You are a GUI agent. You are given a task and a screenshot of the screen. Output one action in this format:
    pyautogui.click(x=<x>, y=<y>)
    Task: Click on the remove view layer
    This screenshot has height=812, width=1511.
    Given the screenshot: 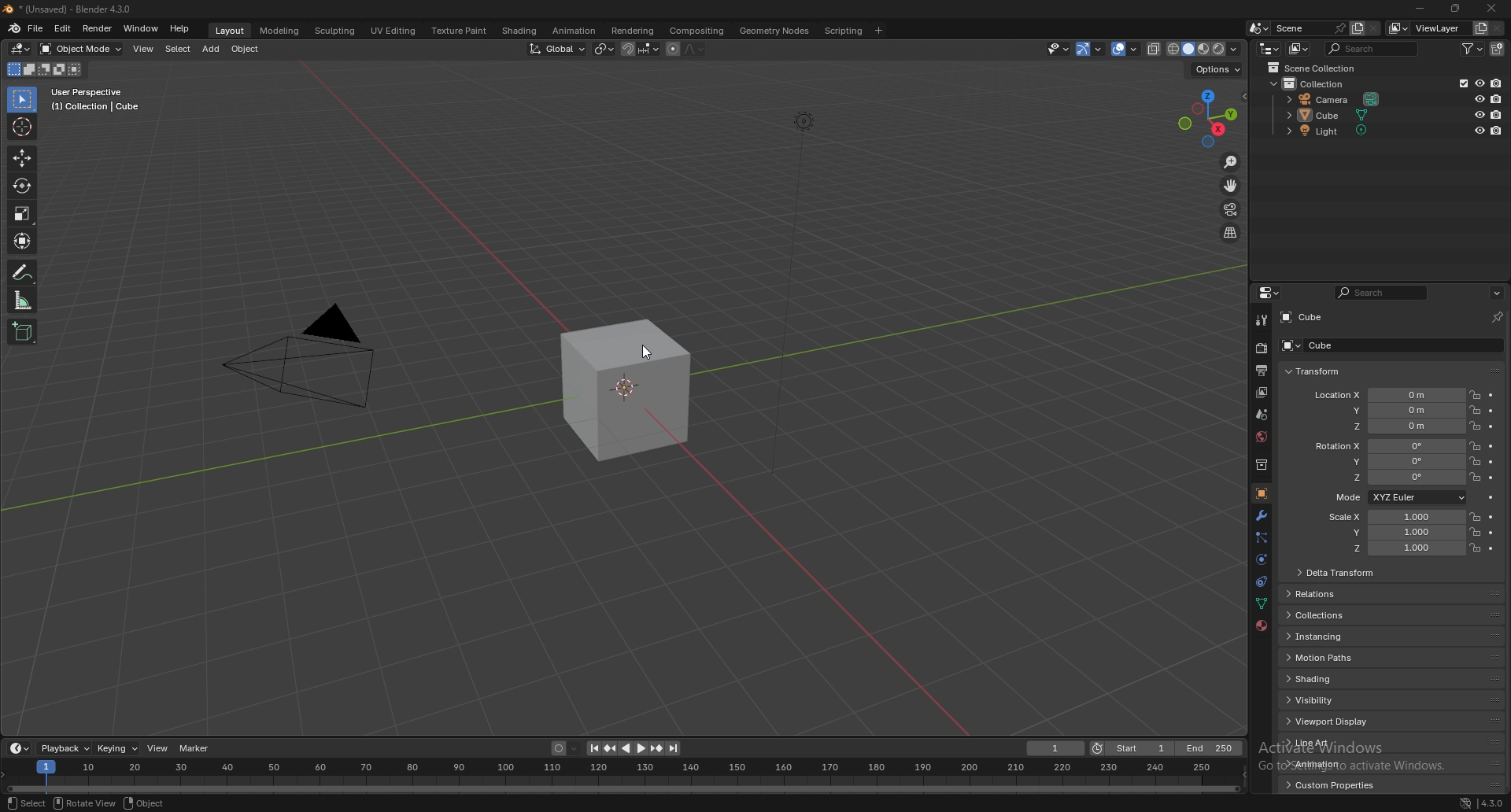 What is the action you would take?
    pyautogui.click(x=1498, y=29)
    